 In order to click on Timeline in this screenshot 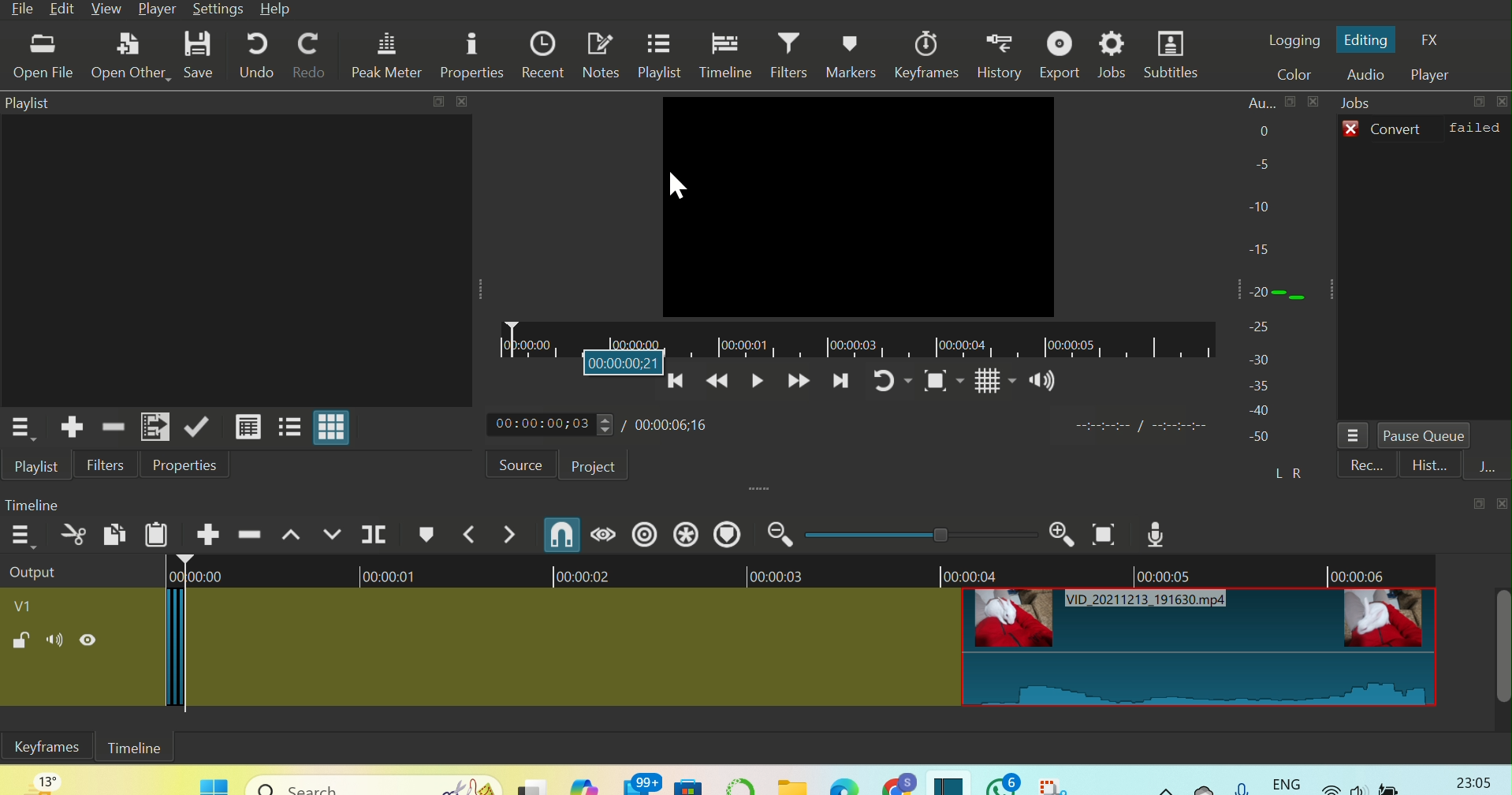, I will do `click(137, 748)`.